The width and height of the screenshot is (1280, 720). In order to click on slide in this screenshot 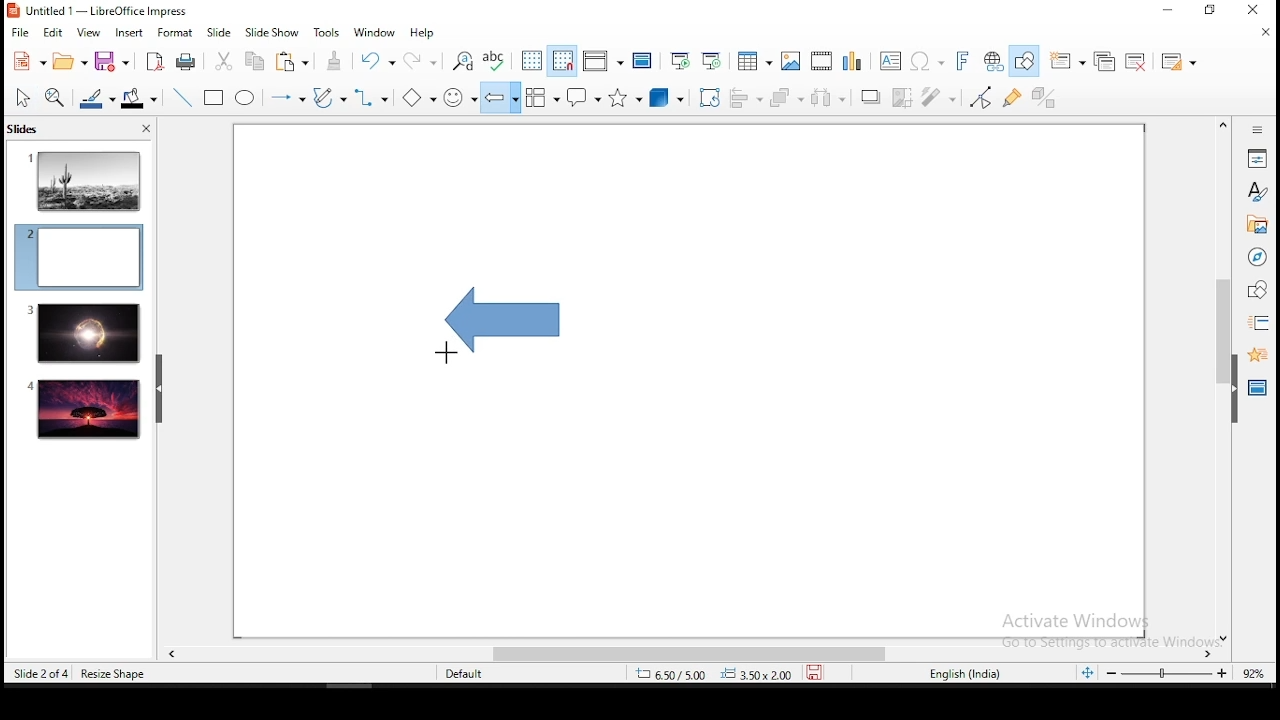, I will do `click(219, 33)`.